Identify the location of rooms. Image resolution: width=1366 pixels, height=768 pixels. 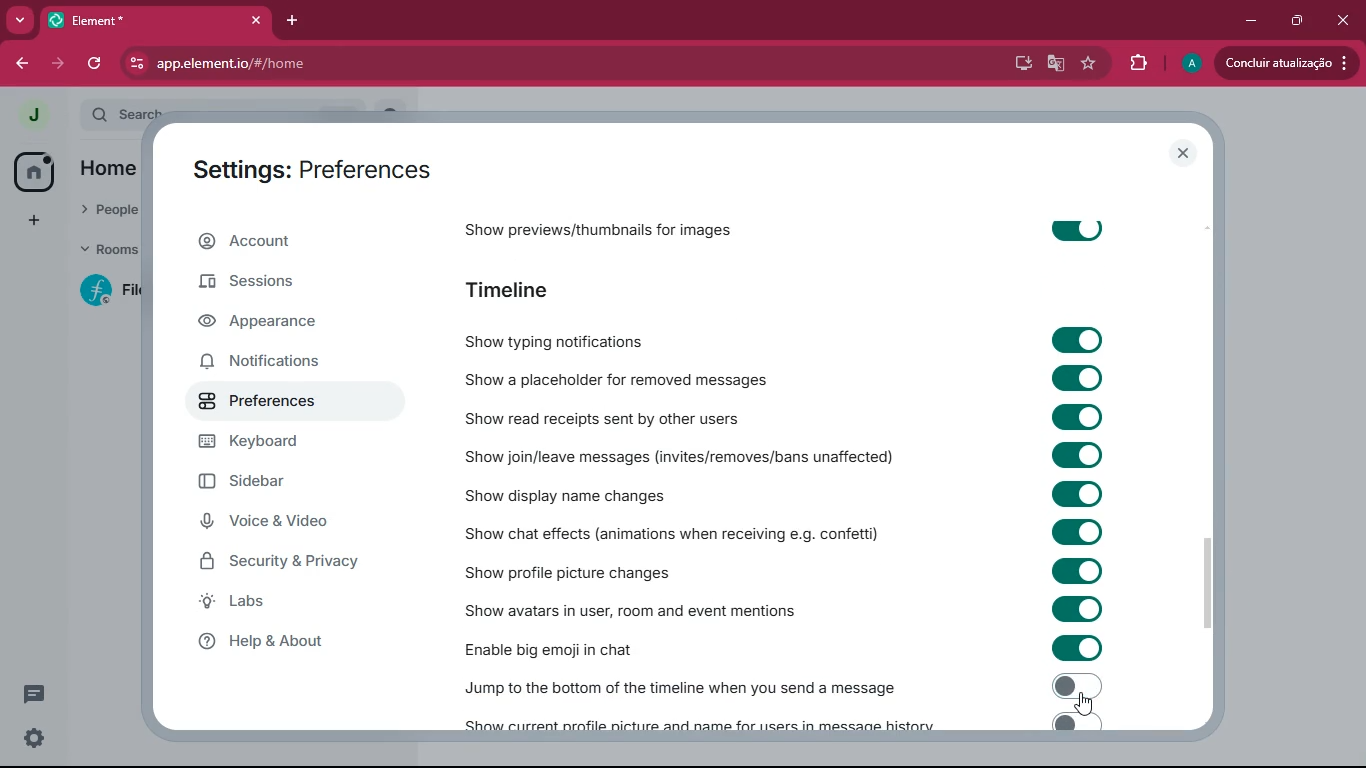
(107, 252).